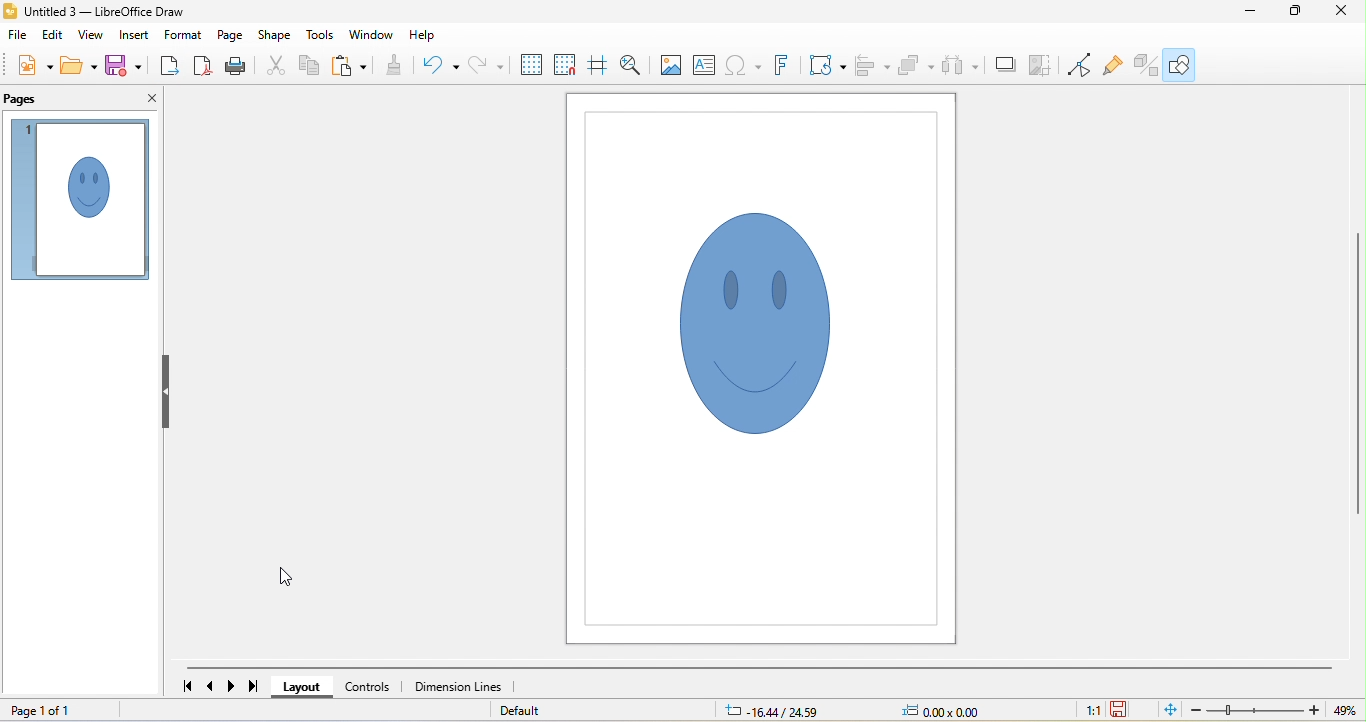 The image size is (1366, 722). Describe the element at coordinates (32, 66) in the screenshot. I see `new` at that location.